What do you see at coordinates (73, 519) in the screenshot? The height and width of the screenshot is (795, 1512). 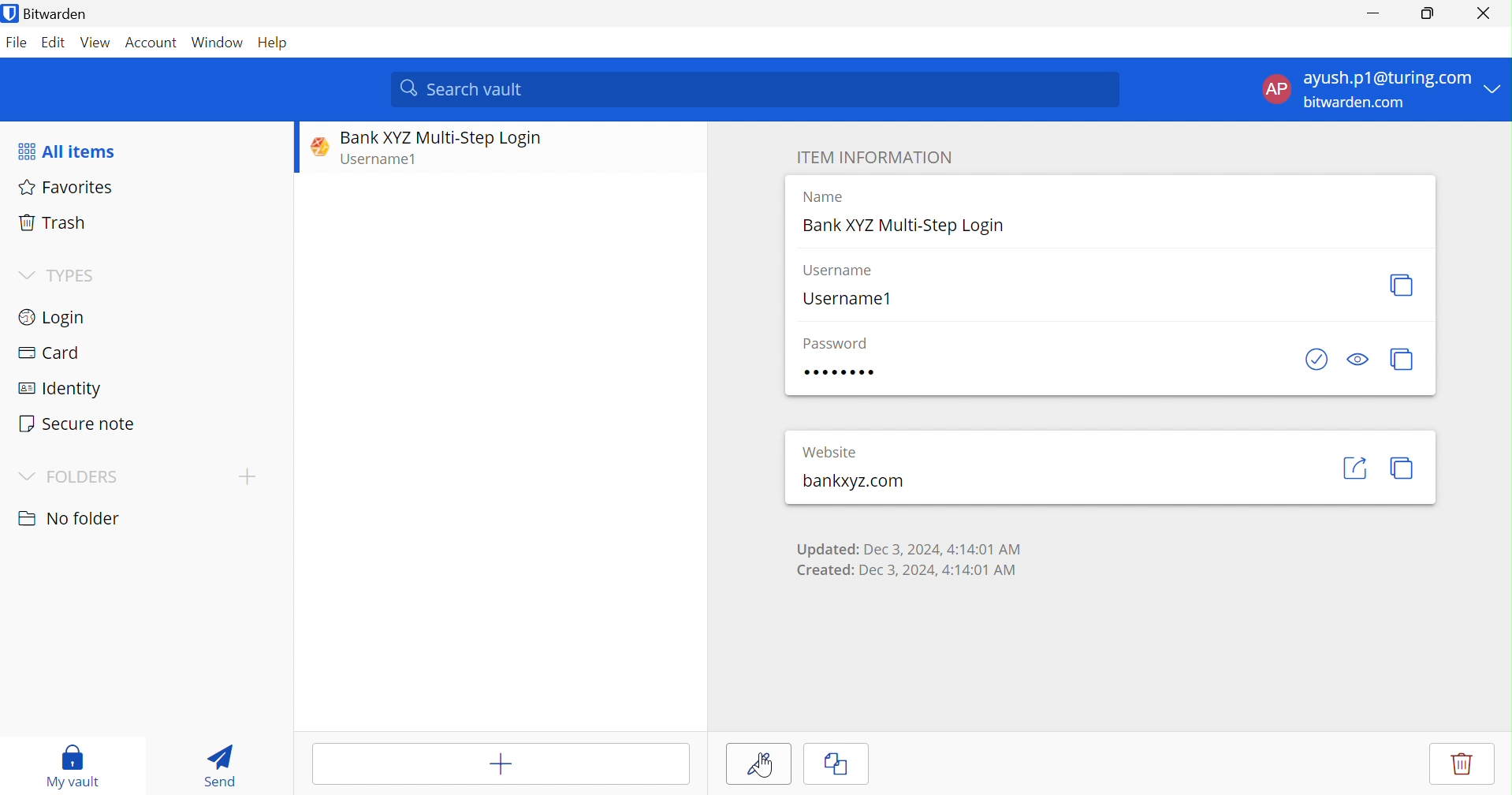 I see `No folder` at bounding box center [73, 519].